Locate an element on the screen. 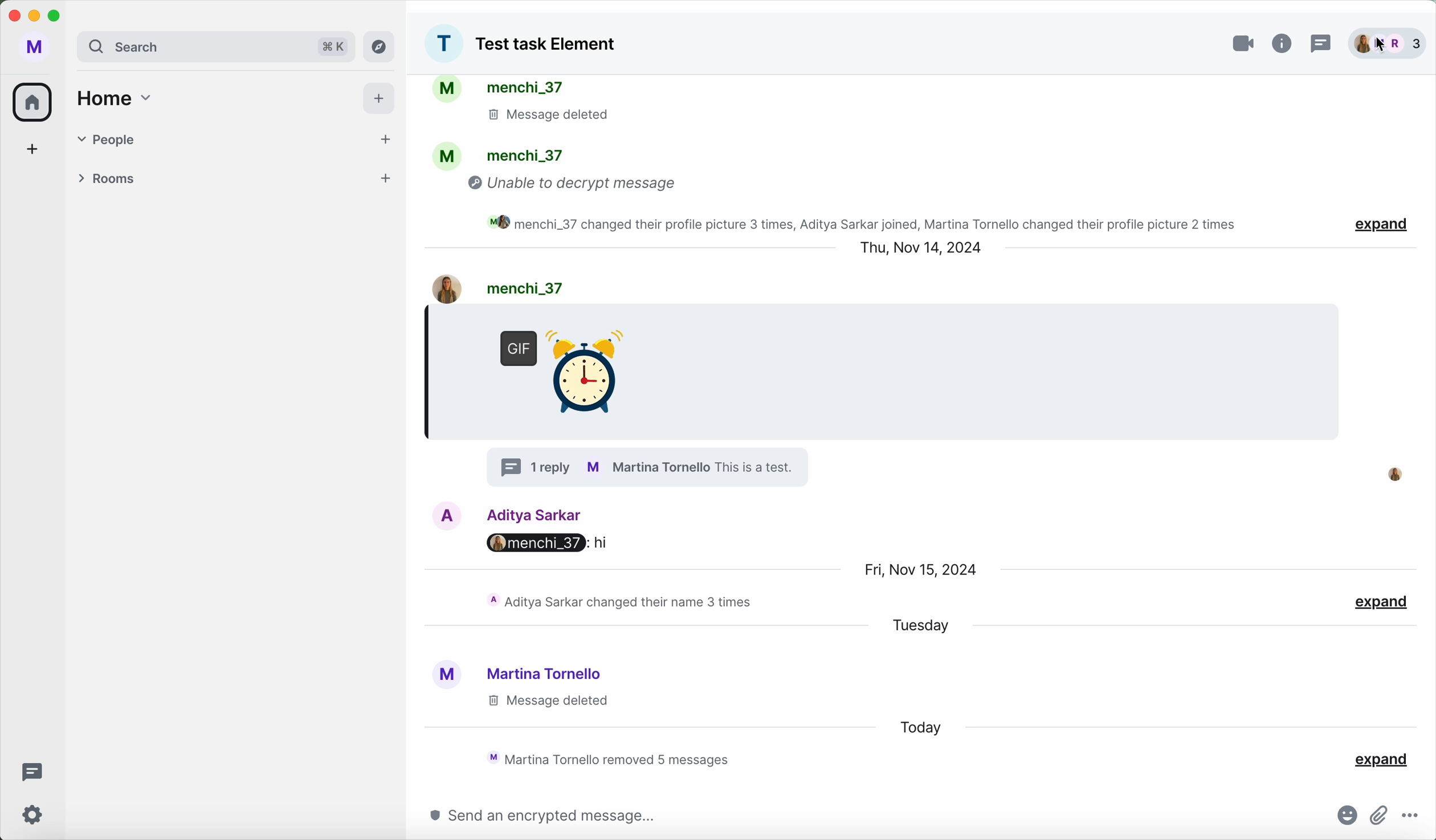 This screenshot has width=1436, height=840. activity chat is located at coordinates (622, 602).